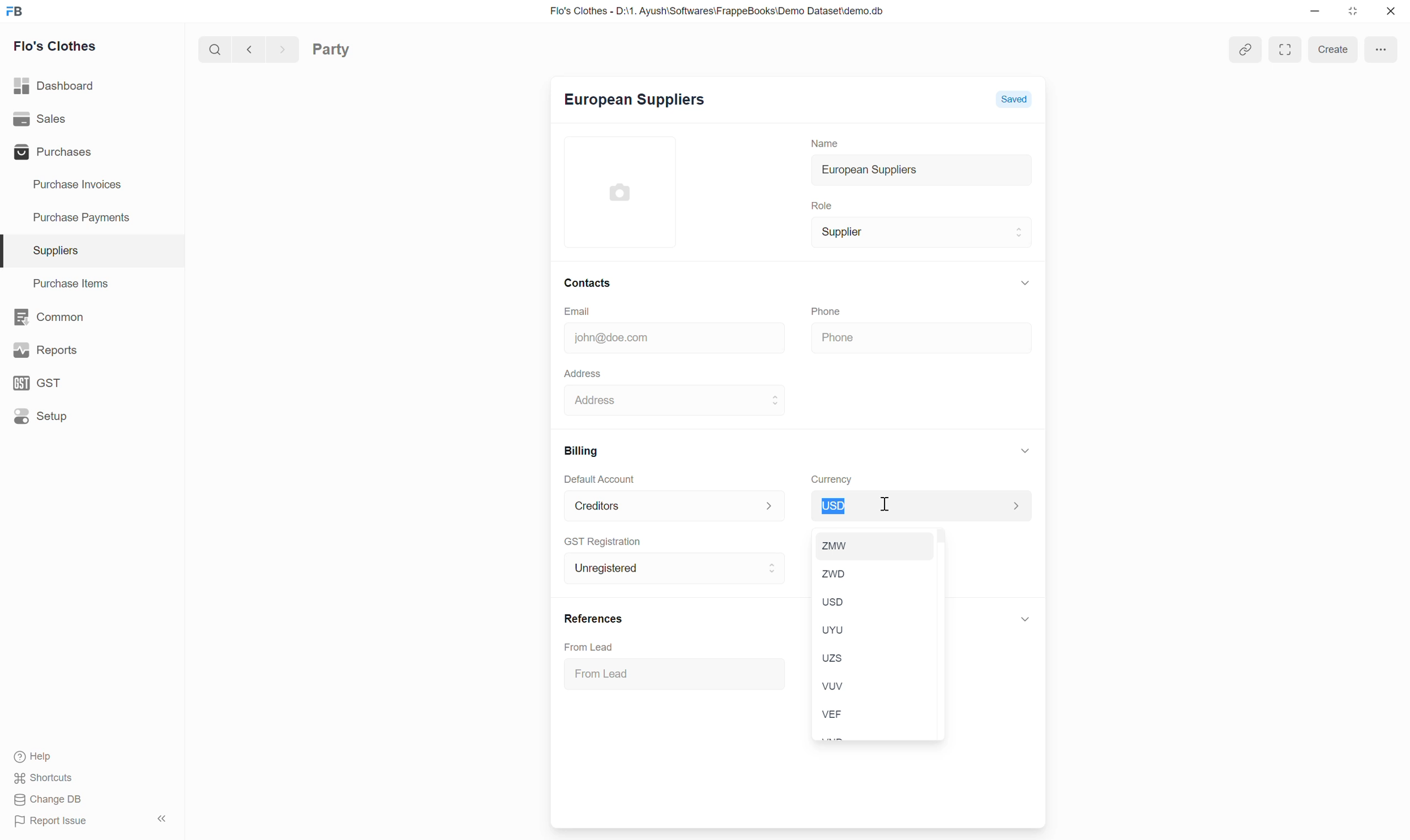  What do you see at coordinates (67, 283) in the screenshot?
I see `Purchase Items` at bounding box center [67, 283].